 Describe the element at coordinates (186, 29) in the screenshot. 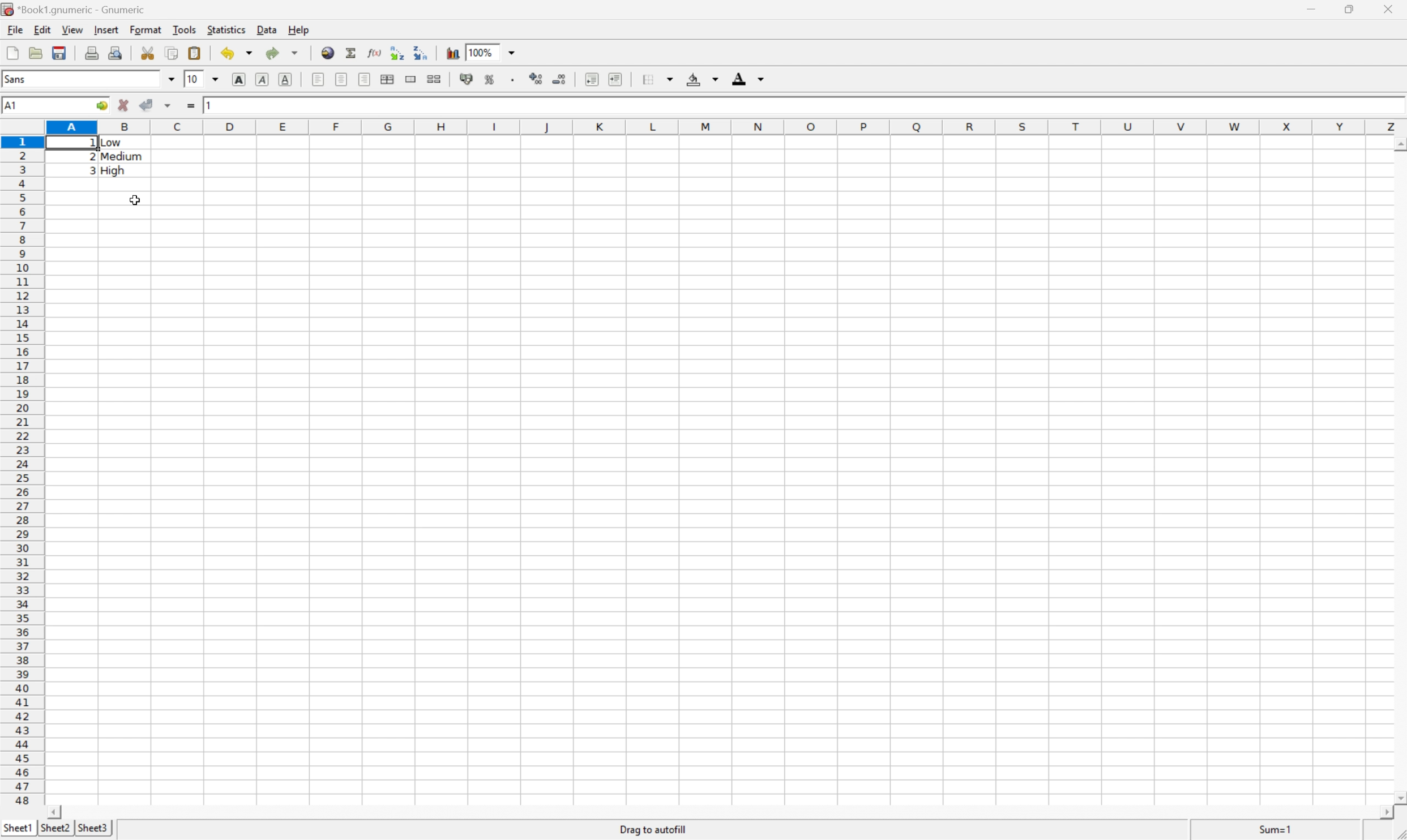

I see `Tools` at that location.